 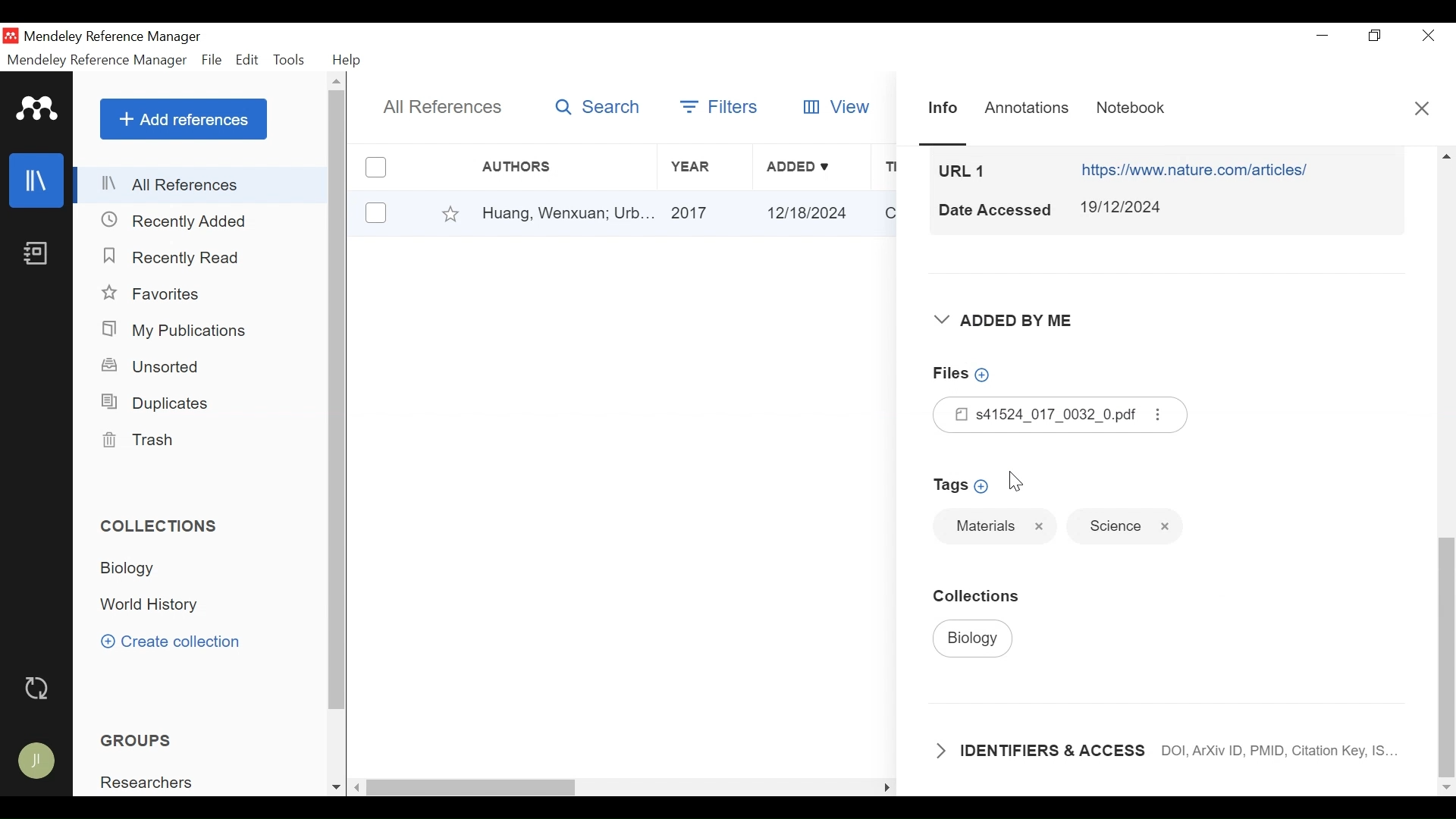 I want to click on Restore, so click(x=1373, y=35).